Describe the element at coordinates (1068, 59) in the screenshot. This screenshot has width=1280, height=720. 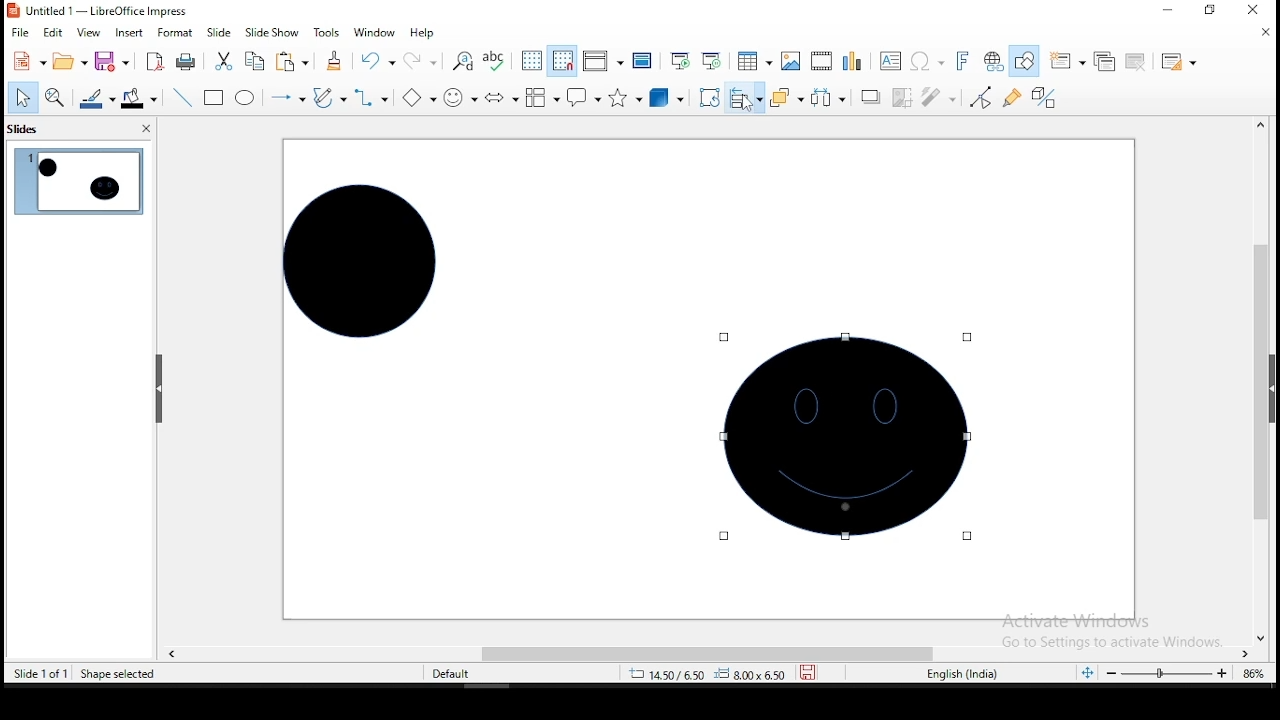
I see `new  slide` at that location.